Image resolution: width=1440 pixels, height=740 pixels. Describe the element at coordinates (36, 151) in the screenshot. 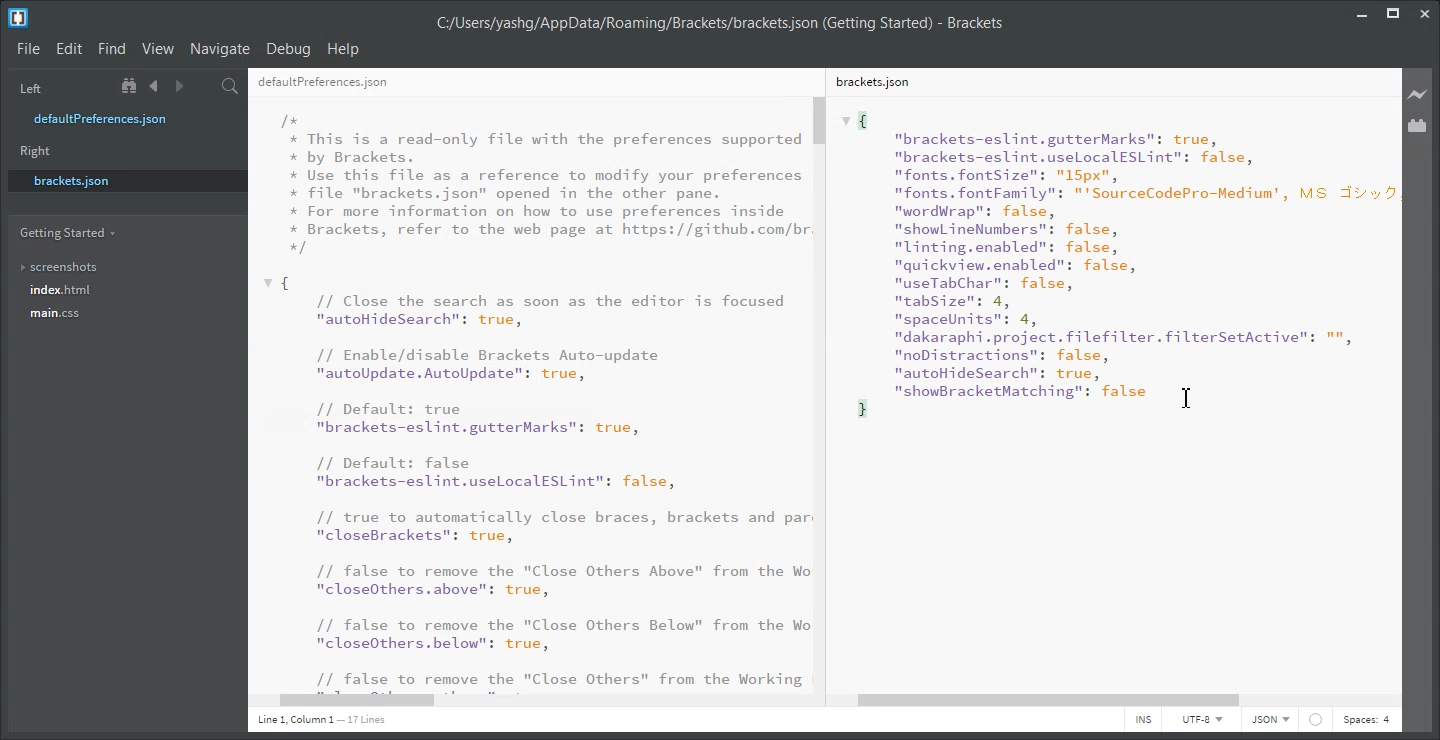

I see `Right` at that location.